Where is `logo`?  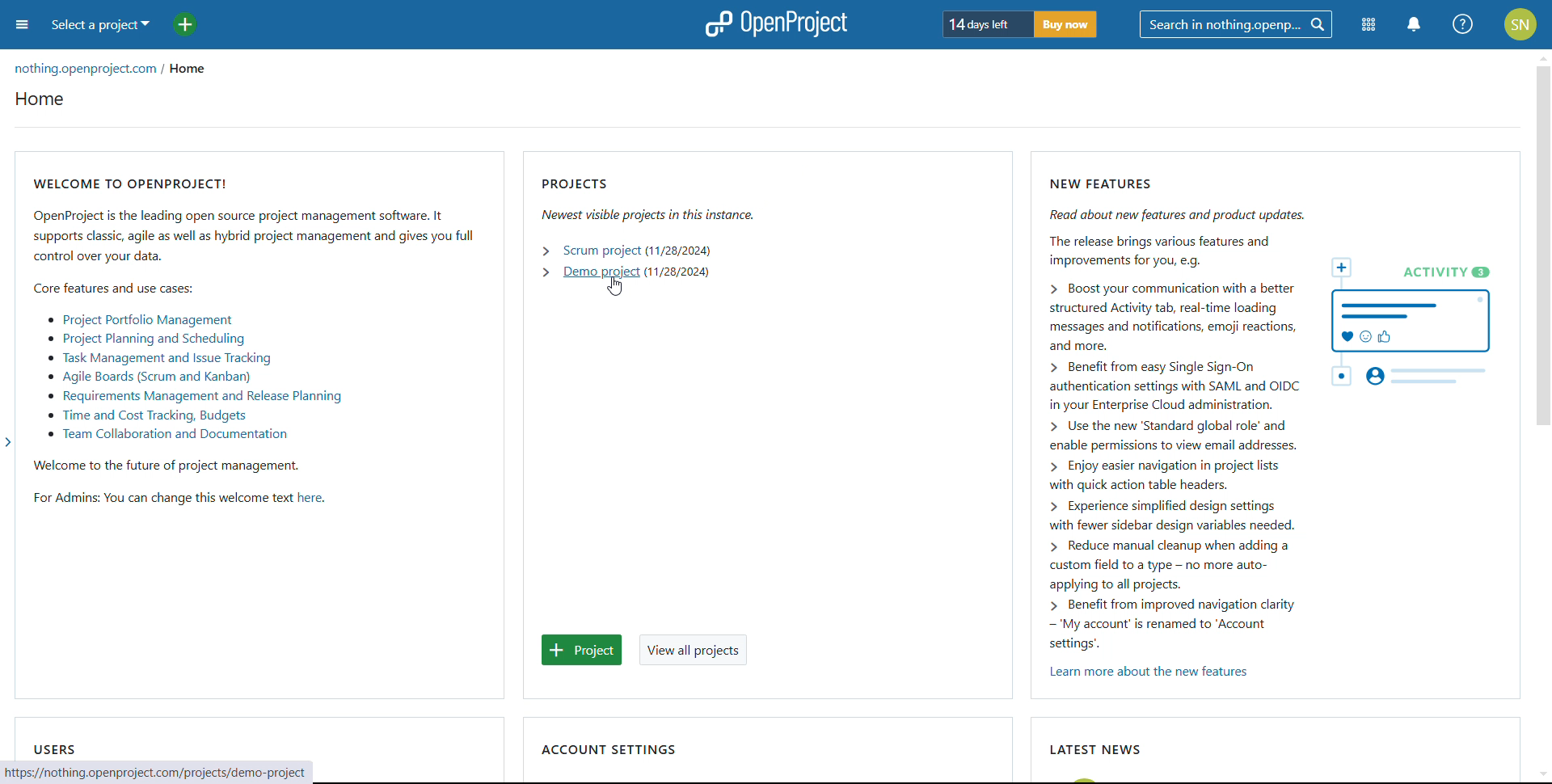
logo is located at coordinates (776, 24).